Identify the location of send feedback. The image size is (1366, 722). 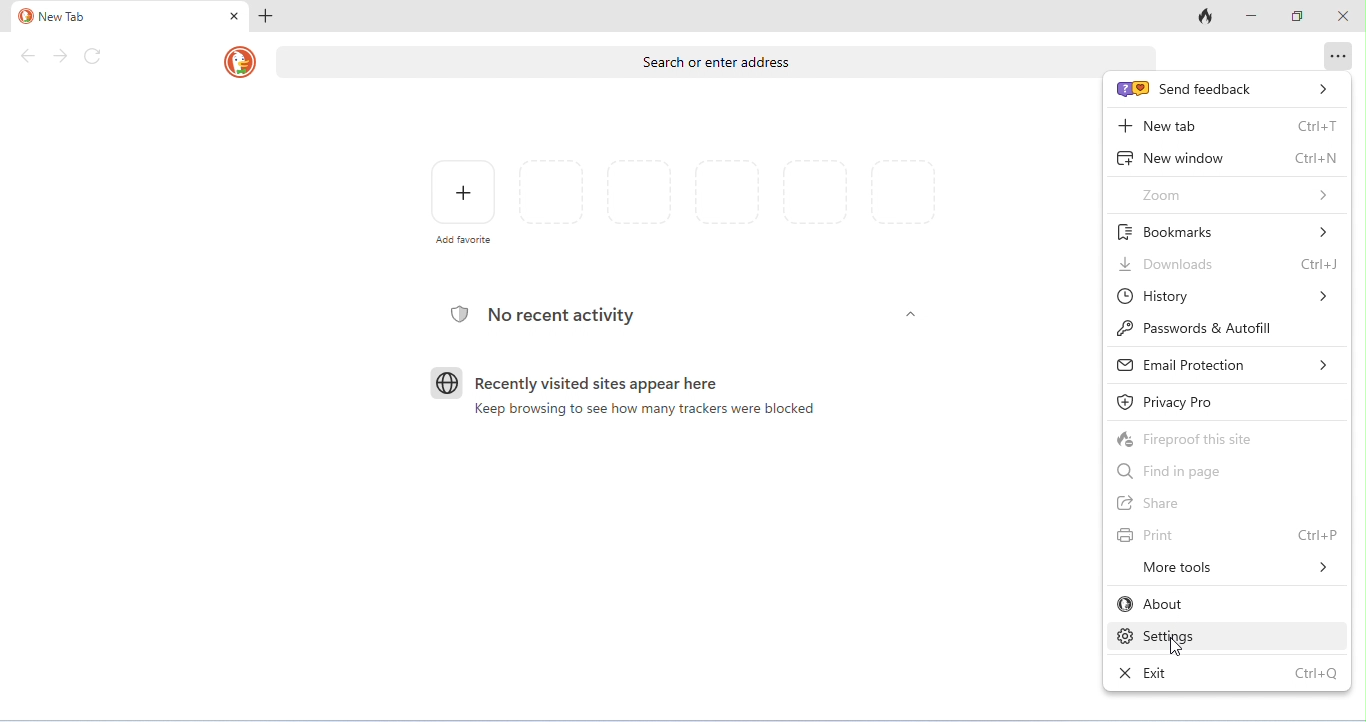
(1221, 87).